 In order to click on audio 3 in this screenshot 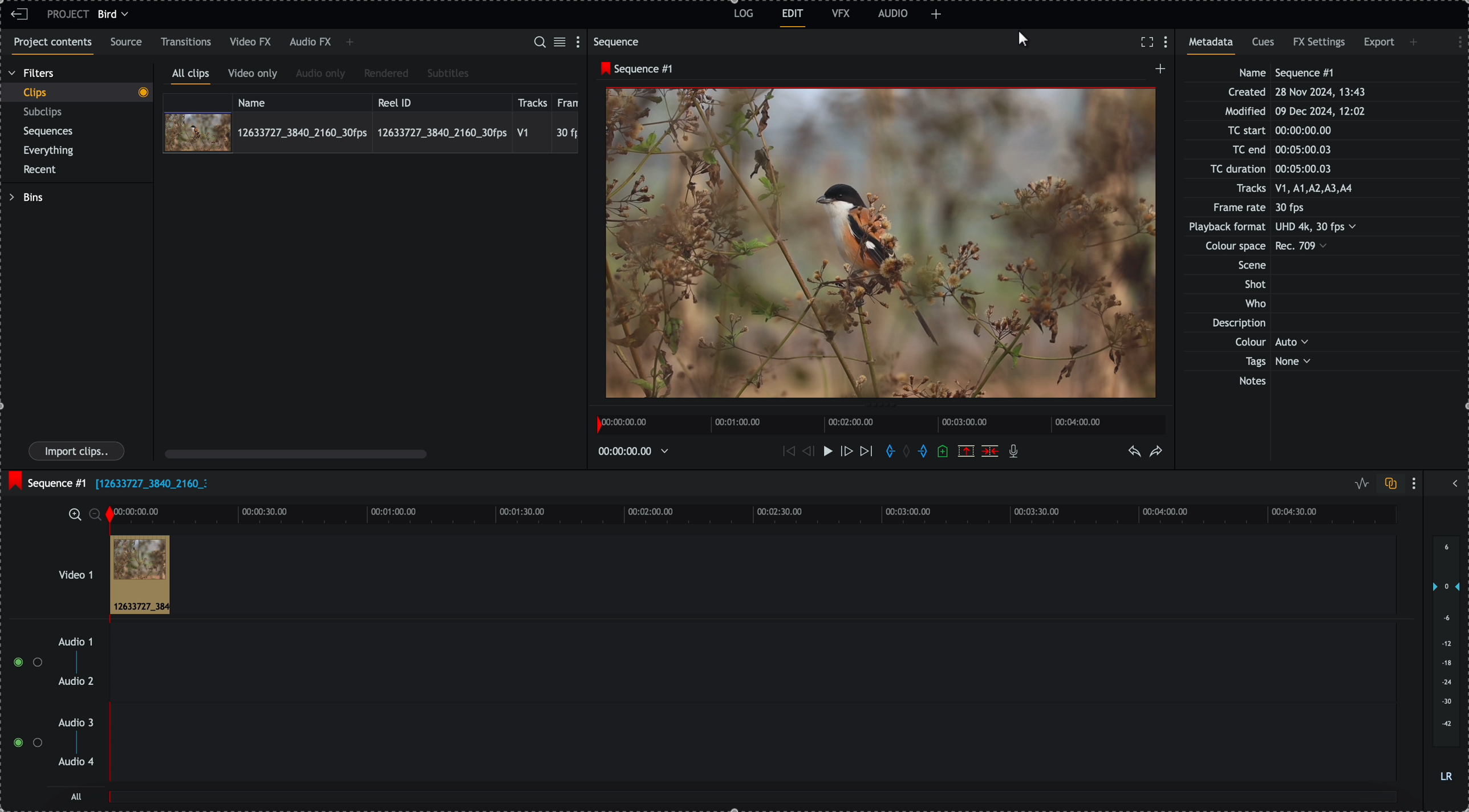, I will do `click(79, 723)`.